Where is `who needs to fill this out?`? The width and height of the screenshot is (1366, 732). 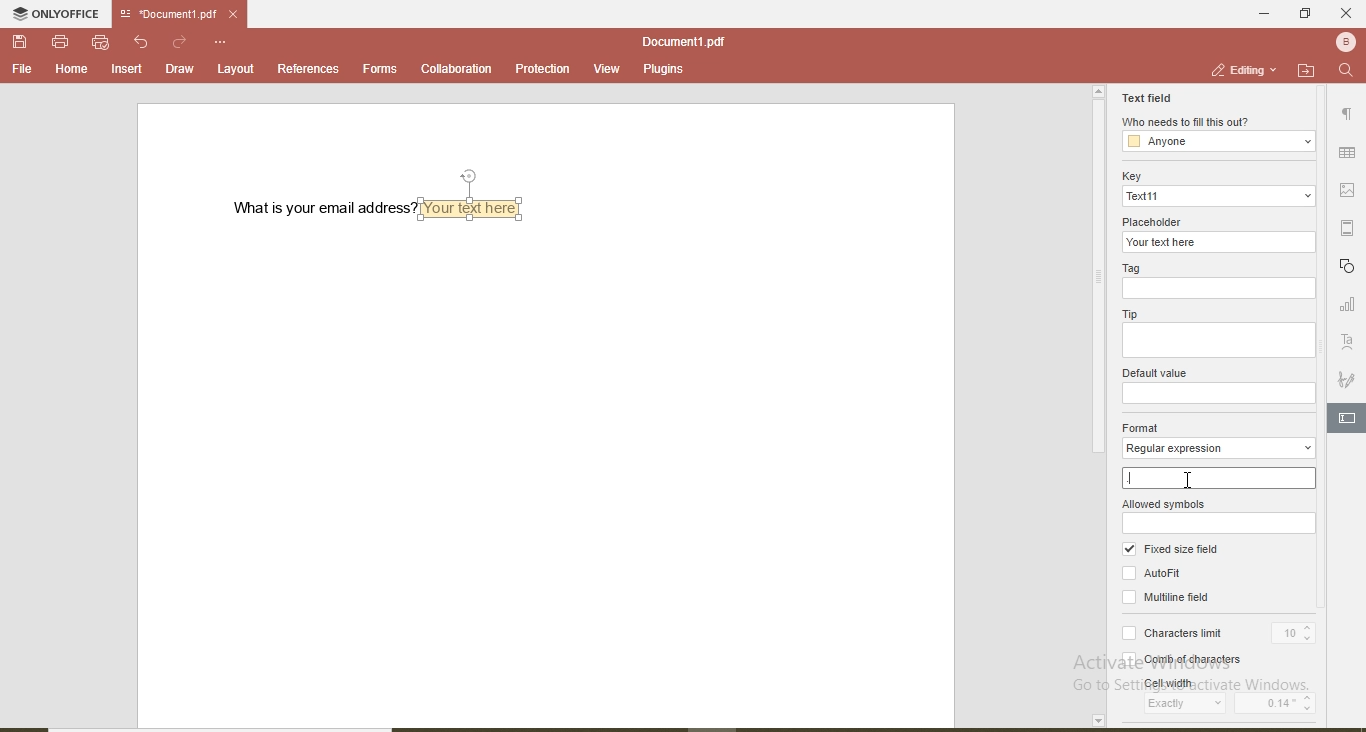 who needs to fill this out? is located at coordinates (1185, 122).